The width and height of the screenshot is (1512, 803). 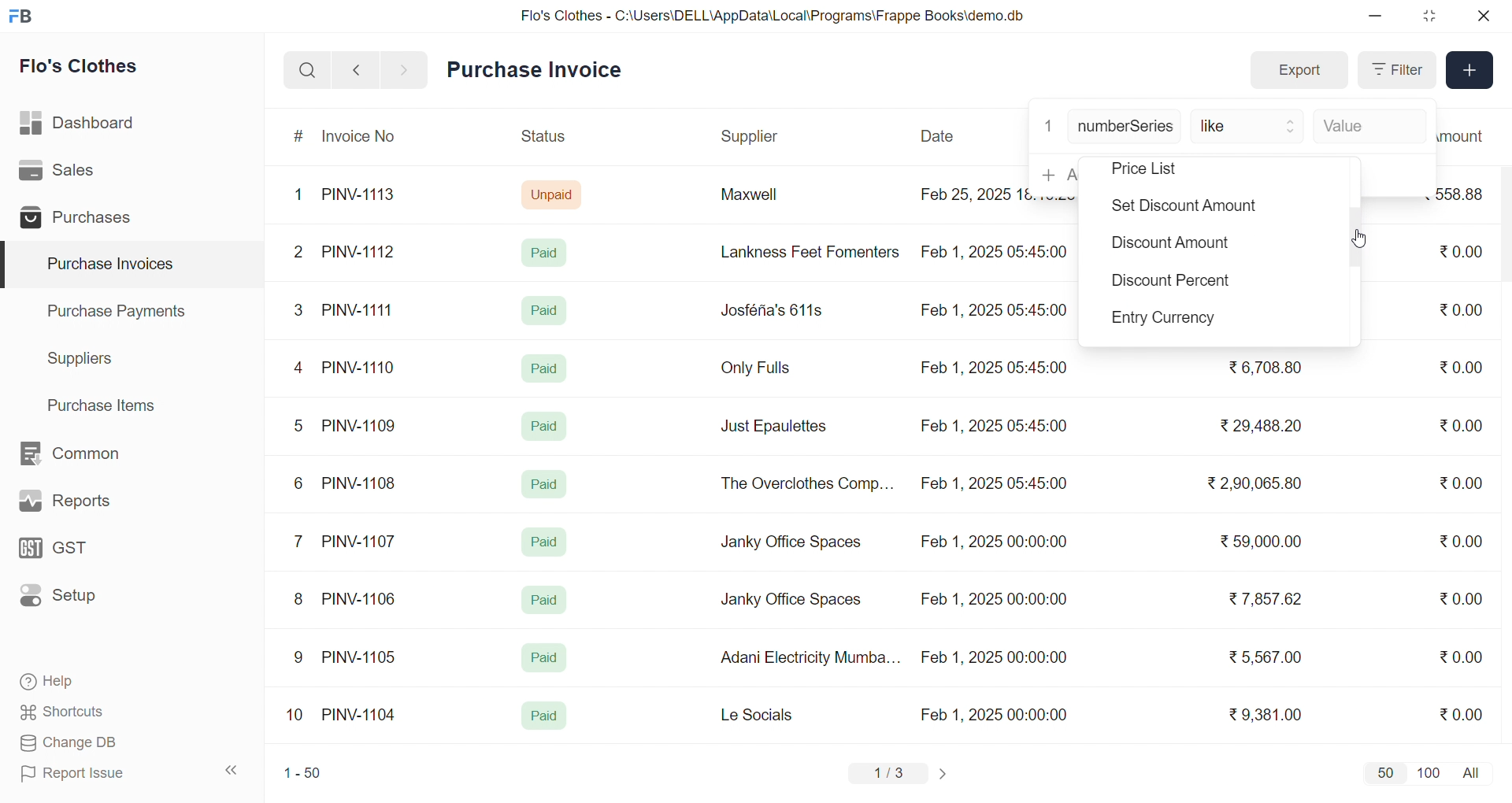 I want to click on Feb 1, 2025 00:00:00, so click(x=991, y=597).